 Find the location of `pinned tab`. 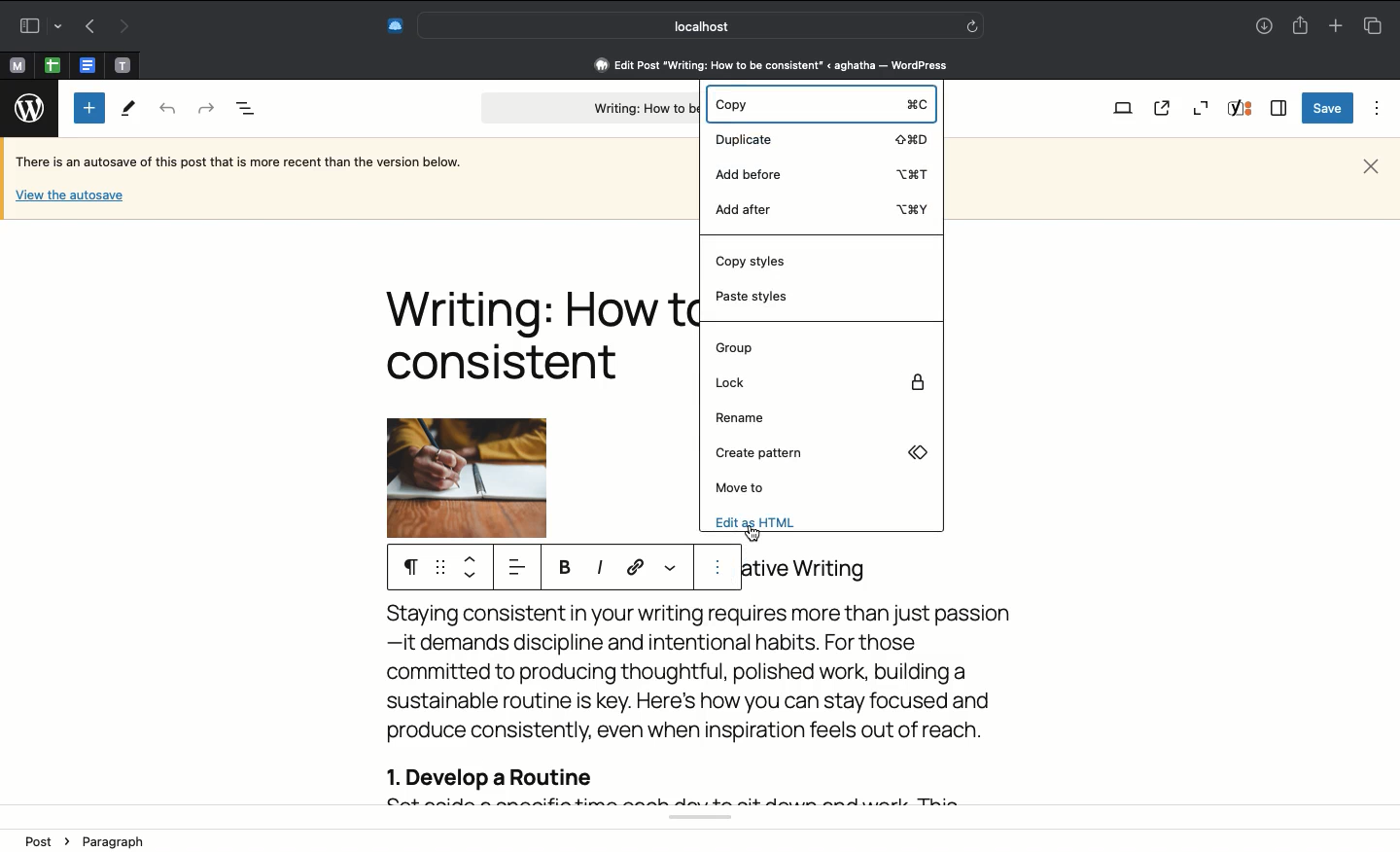

pinned tab is located at coordinates (16, 63).